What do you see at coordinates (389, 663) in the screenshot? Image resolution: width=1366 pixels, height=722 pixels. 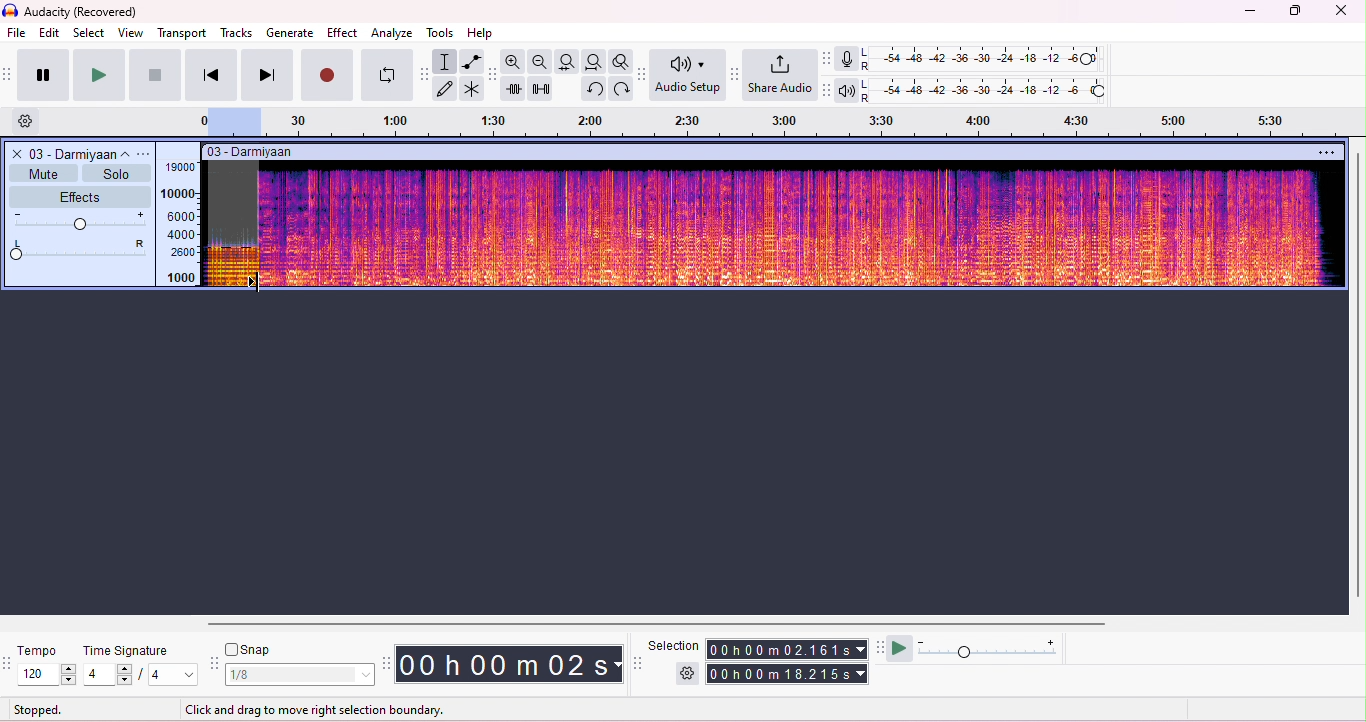 I see `time tool bar` at bounding box center [389, 663].